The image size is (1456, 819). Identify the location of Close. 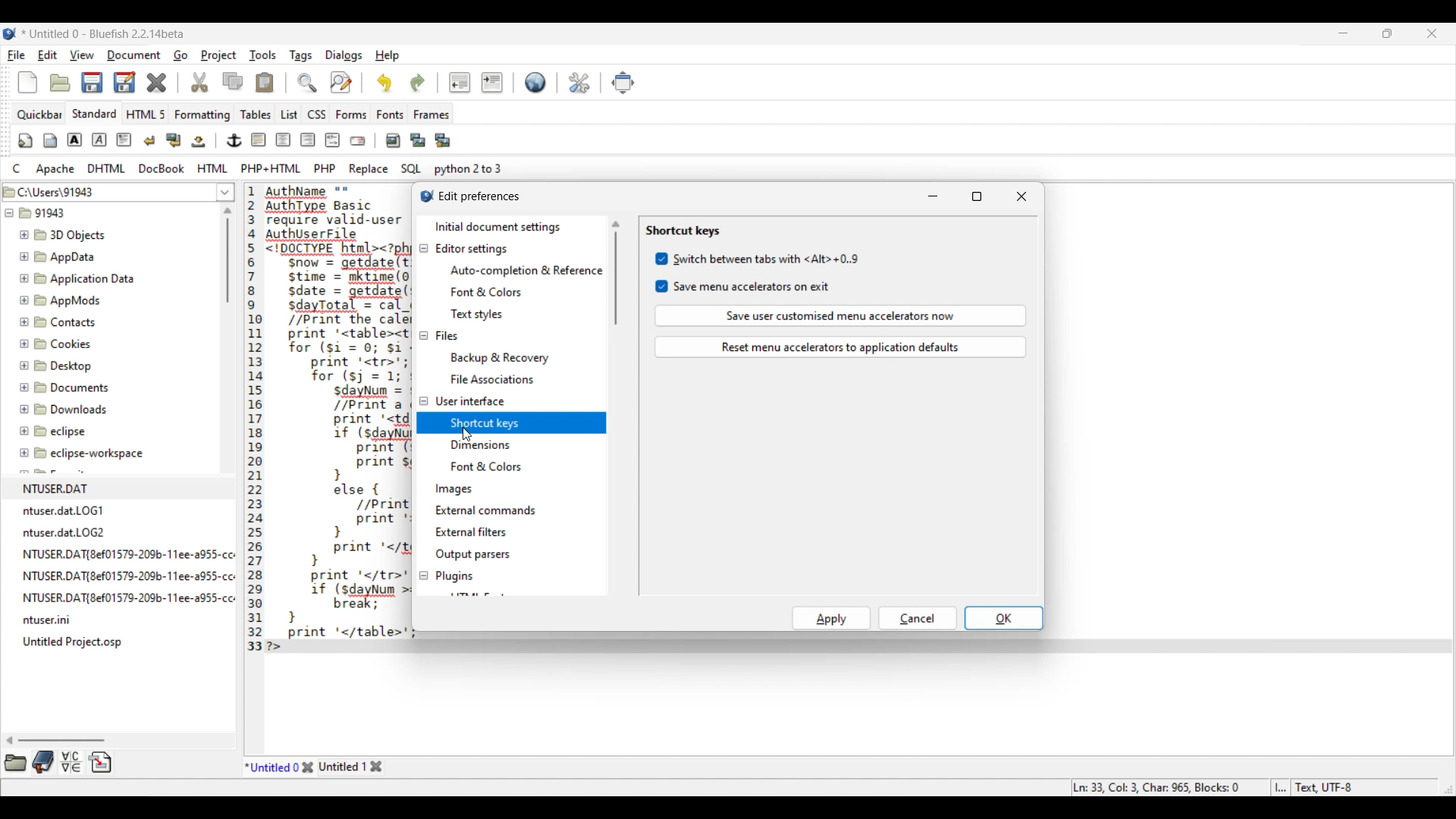
(157, 83).